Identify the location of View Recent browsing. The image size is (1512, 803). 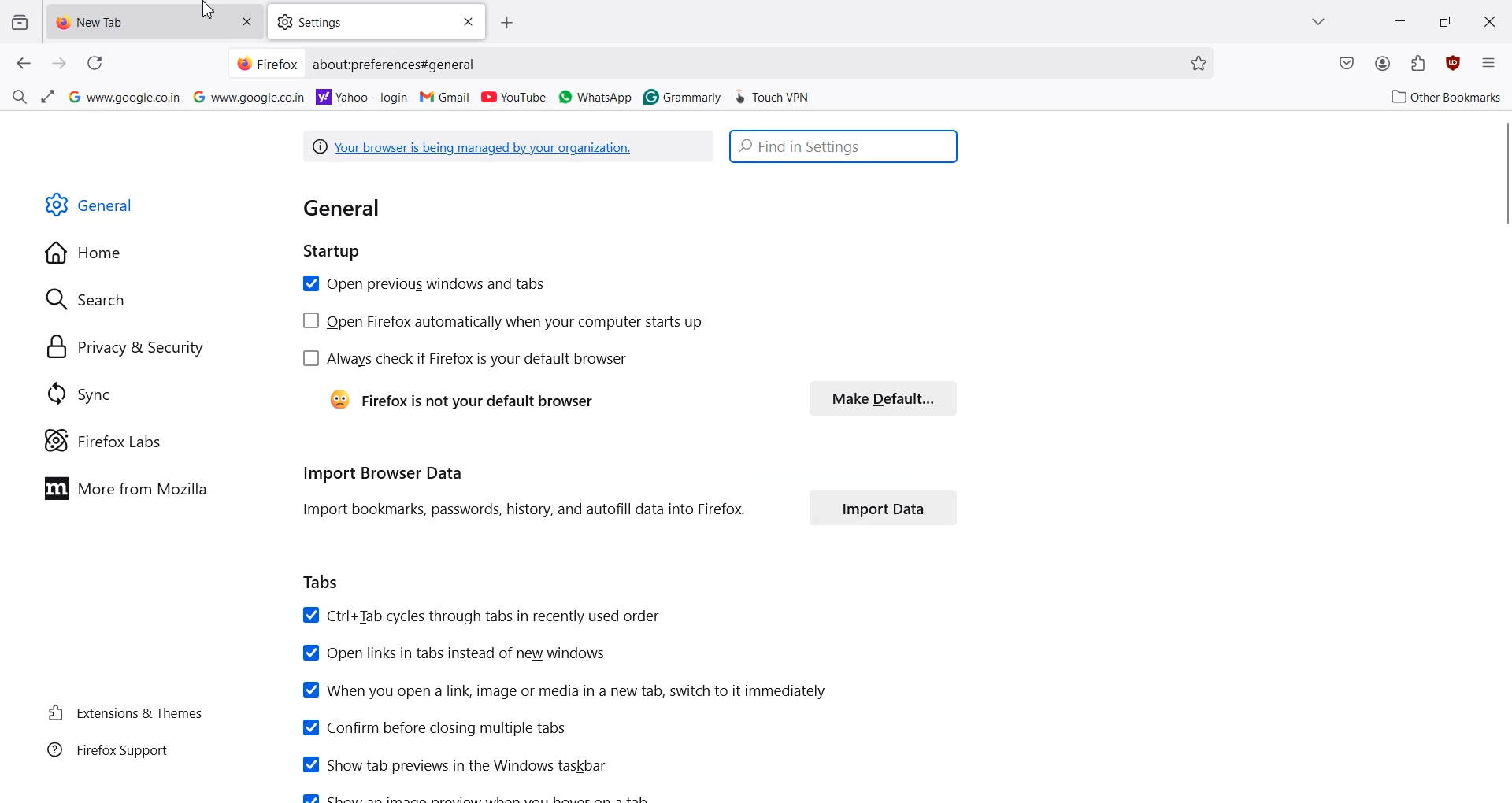
(20, 24).